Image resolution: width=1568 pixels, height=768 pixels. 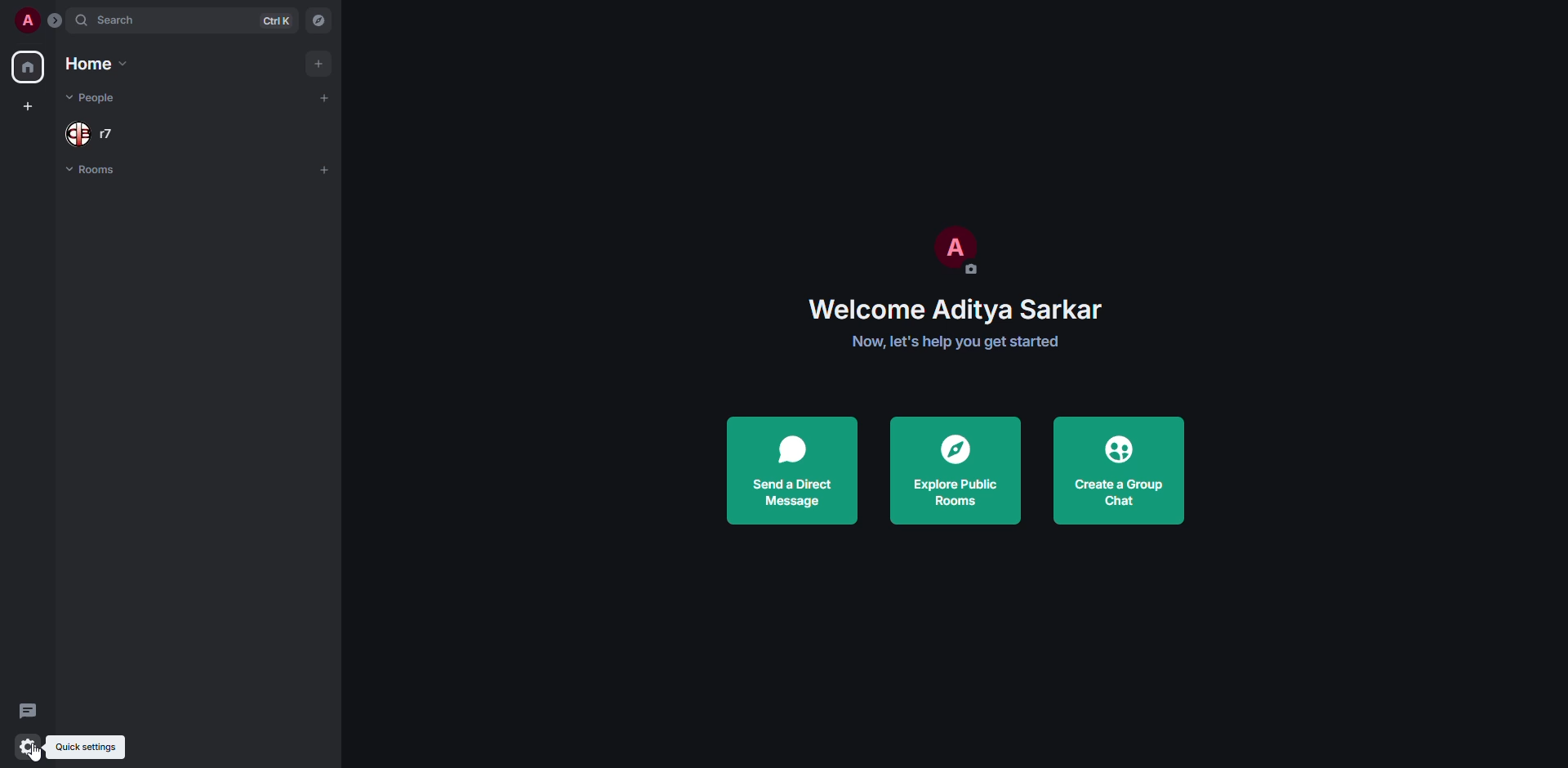 I want to click on quick settings, so click(x=28, y=745).